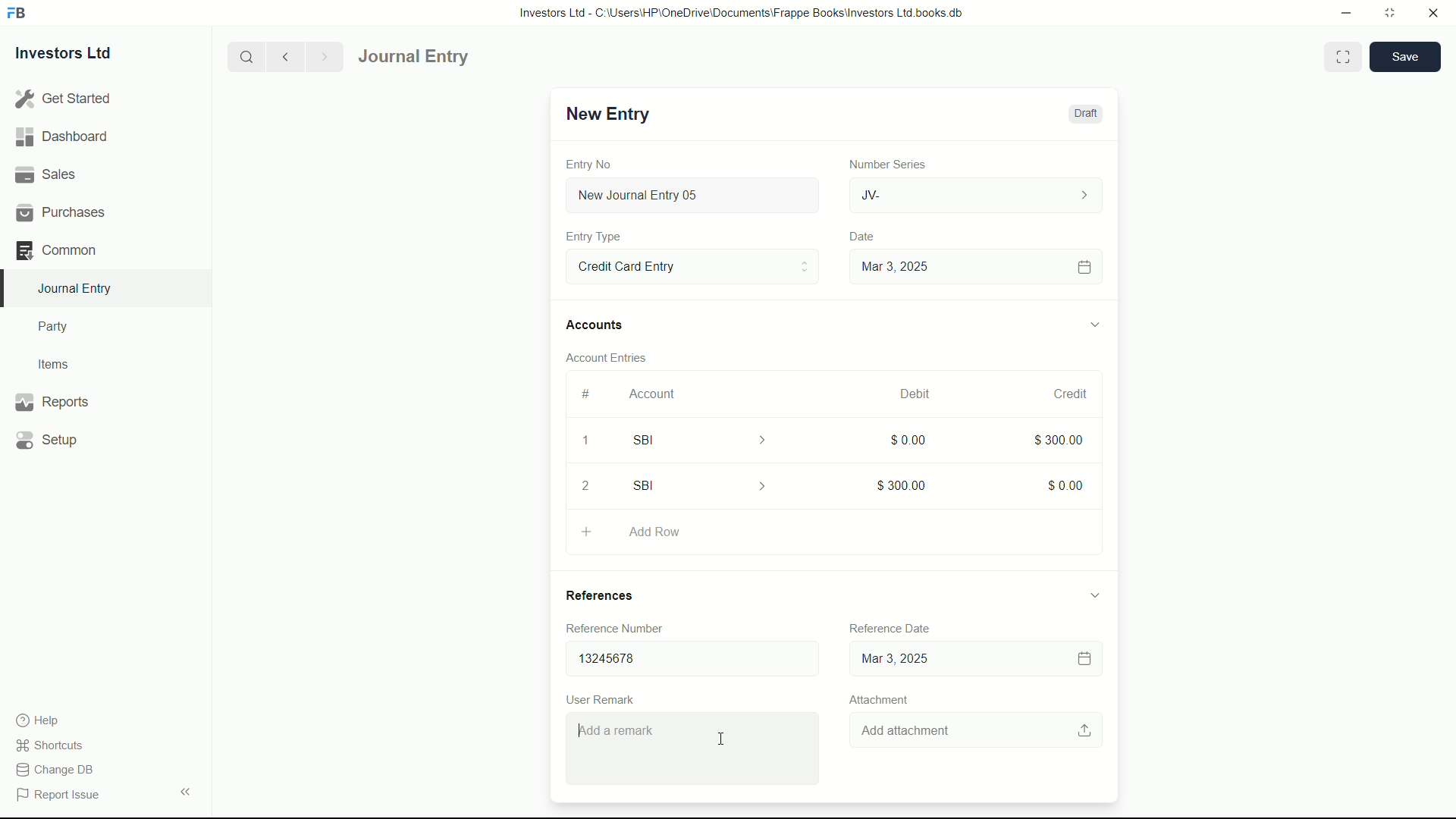  I want to click on Entry Type, so click(594, 237).